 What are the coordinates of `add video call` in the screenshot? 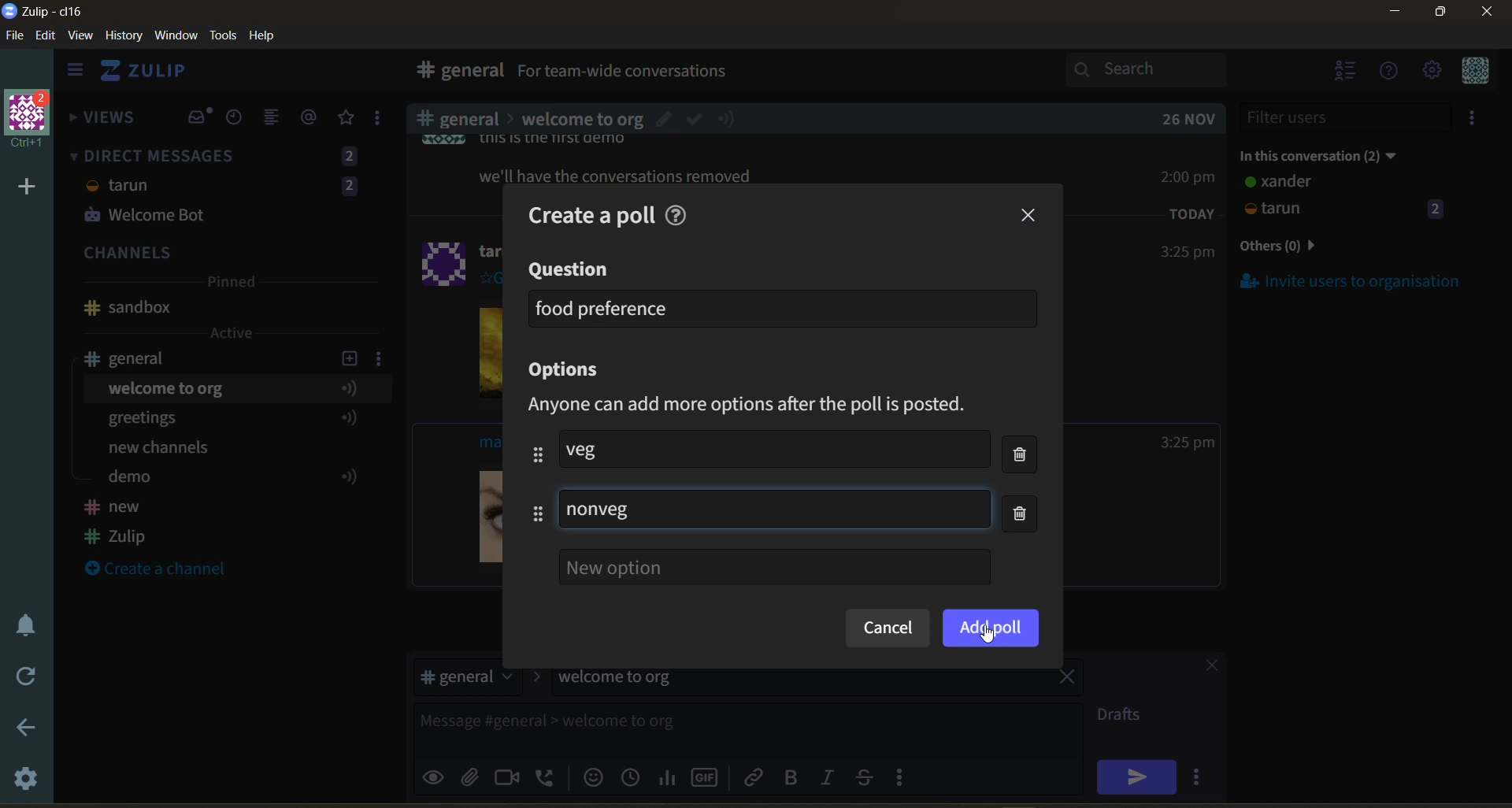 It's located at (508, 776).